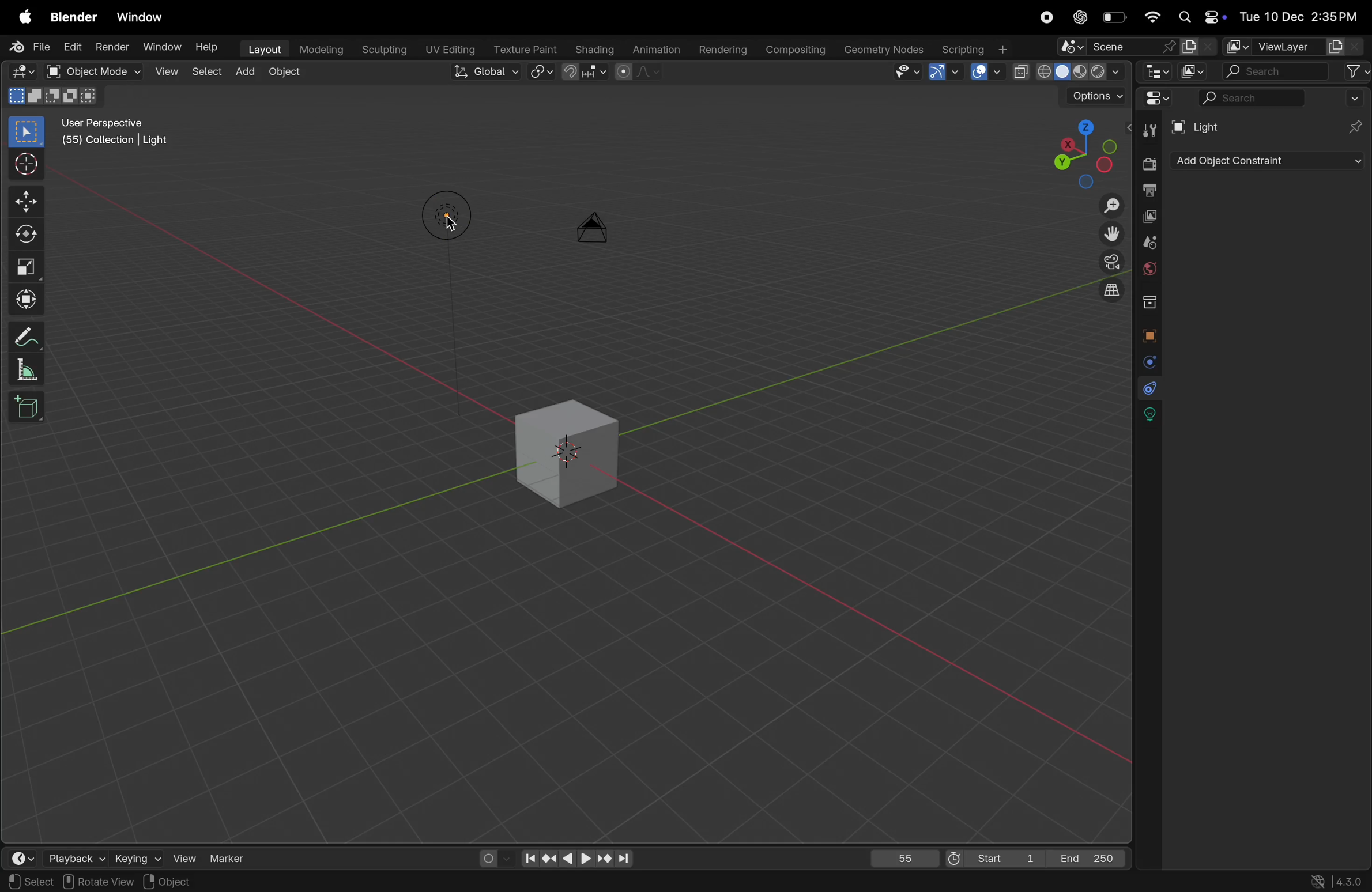  What do you see at coordinates (1154, 302) in the screenshot?
I see `collection` at bounding box center [1154, 302].